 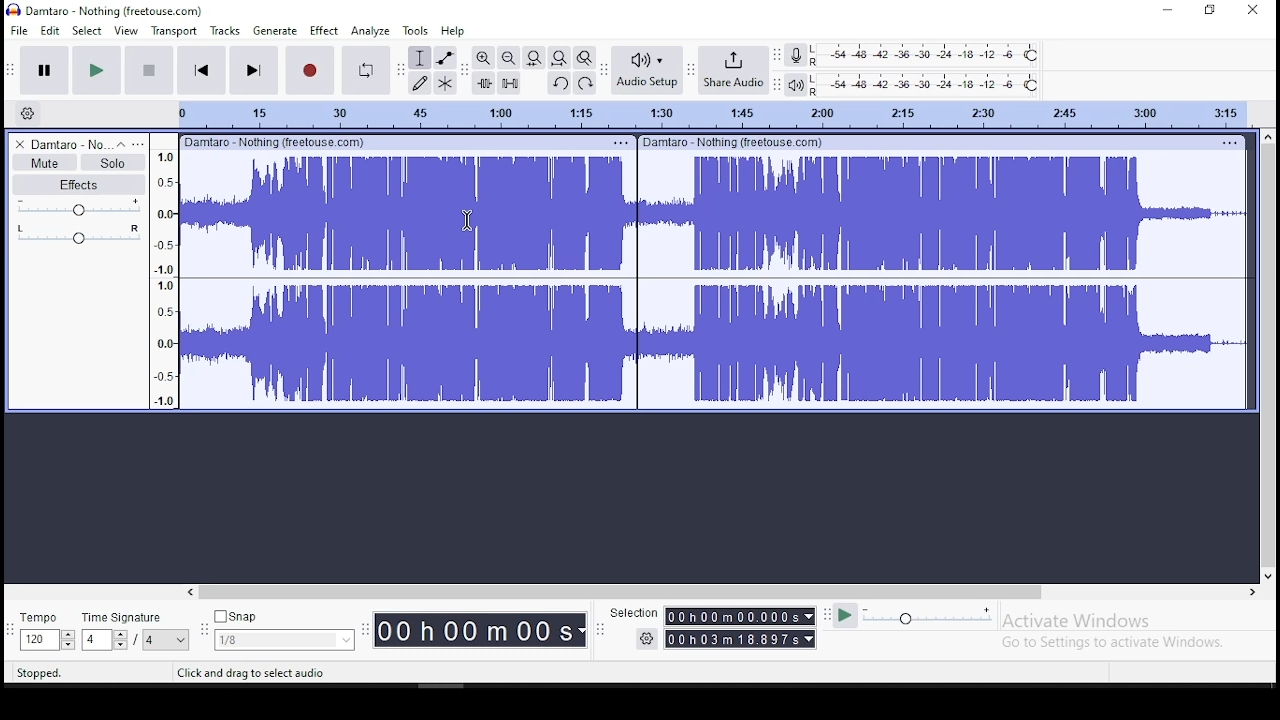 What do you see at coordinates (370, 32) in the screenshot?
I see `analyze` at bounding box center [370, 32].